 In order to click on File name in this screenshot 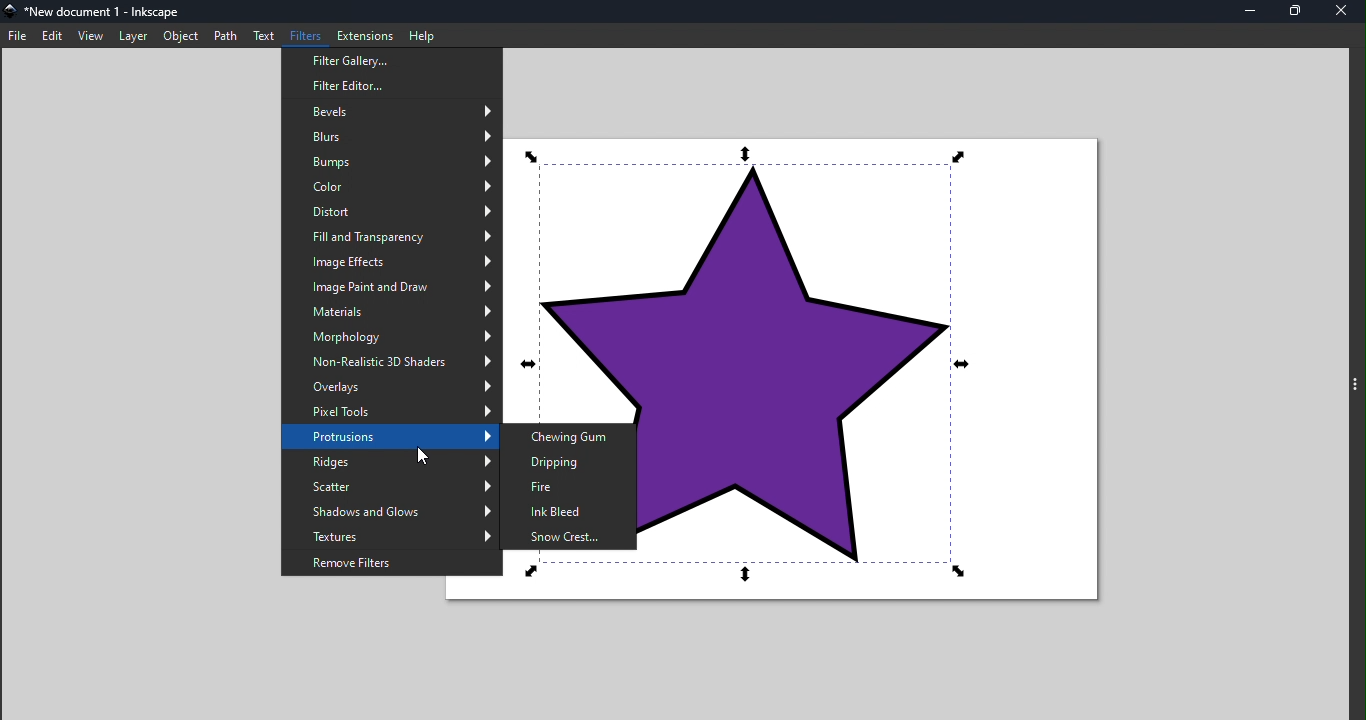, I will do `click(97, 12)`.